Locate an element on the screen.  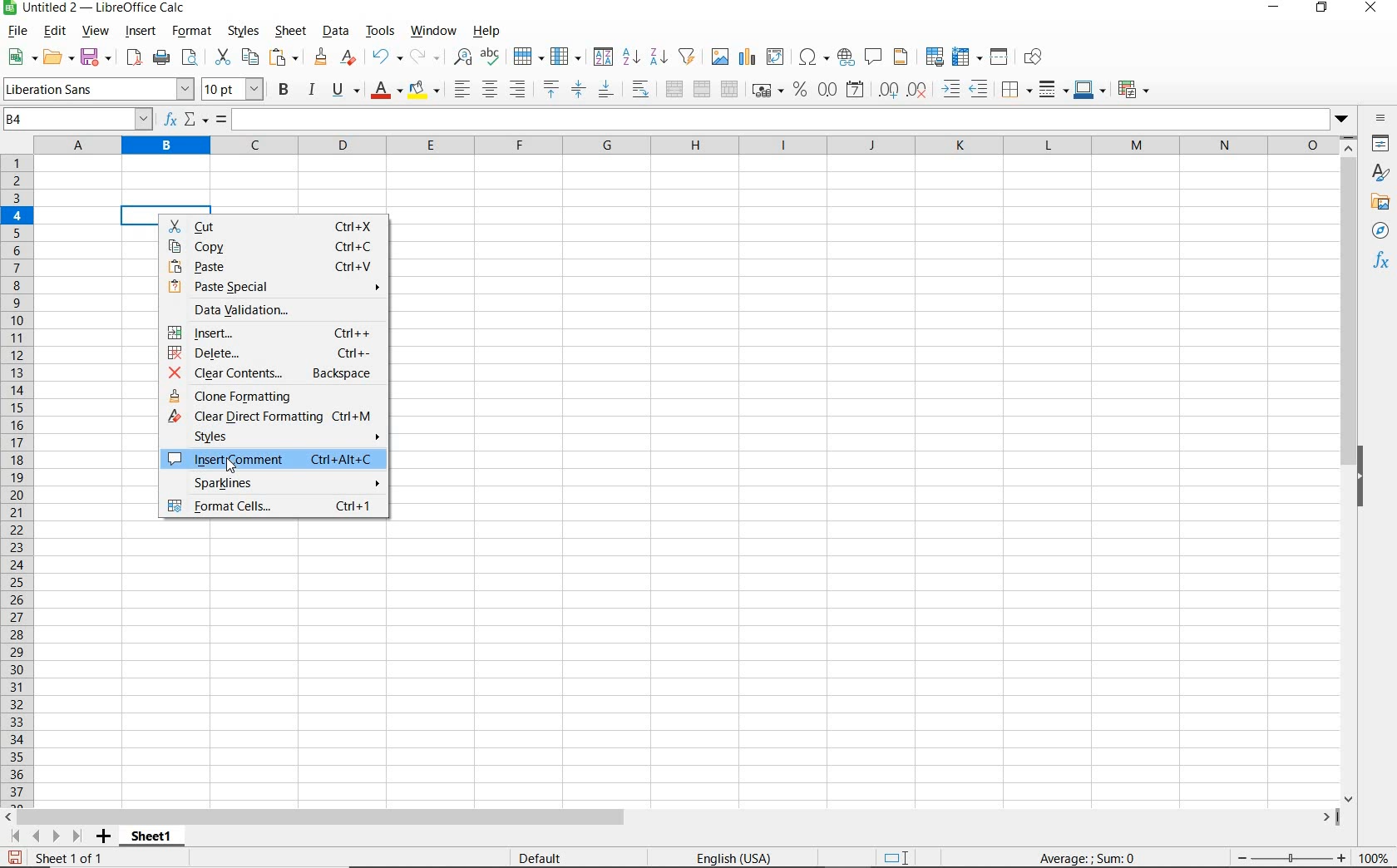
sheet 1 of 1 is located at coordinates (67, 861).